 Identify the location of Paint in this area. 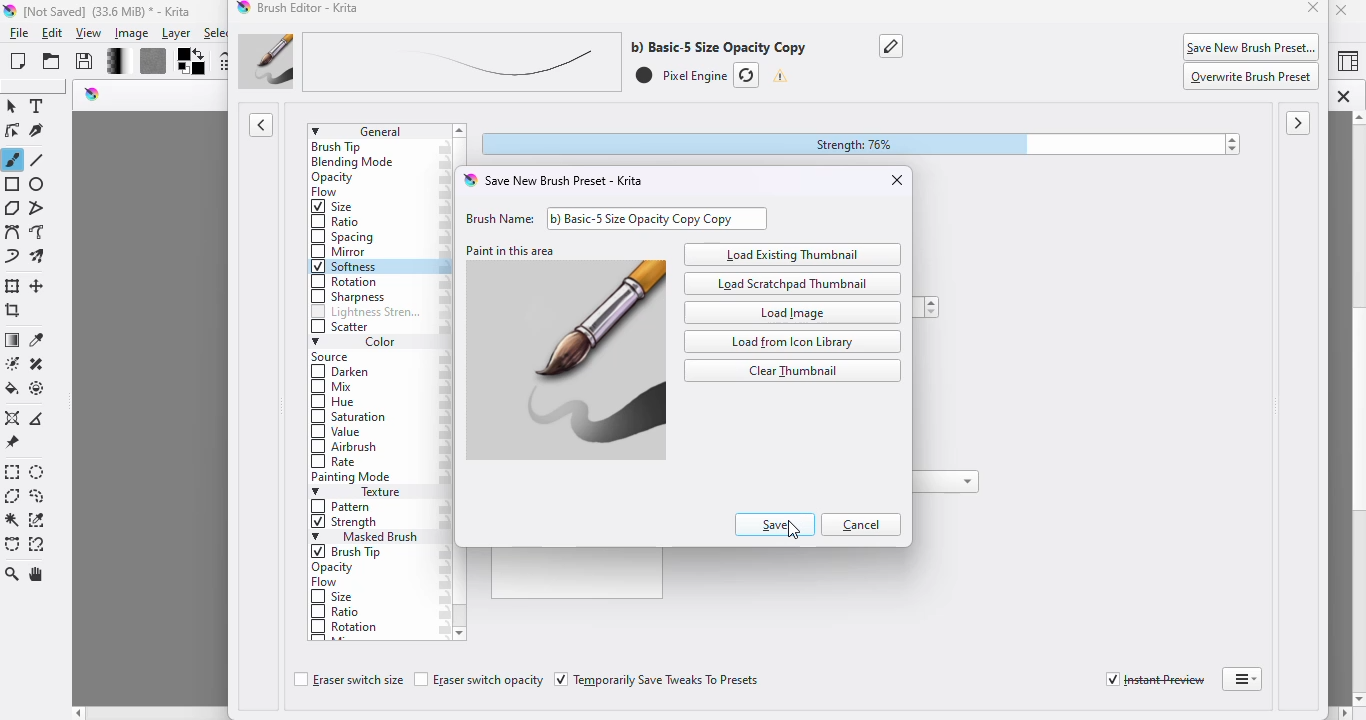
(511, 250).